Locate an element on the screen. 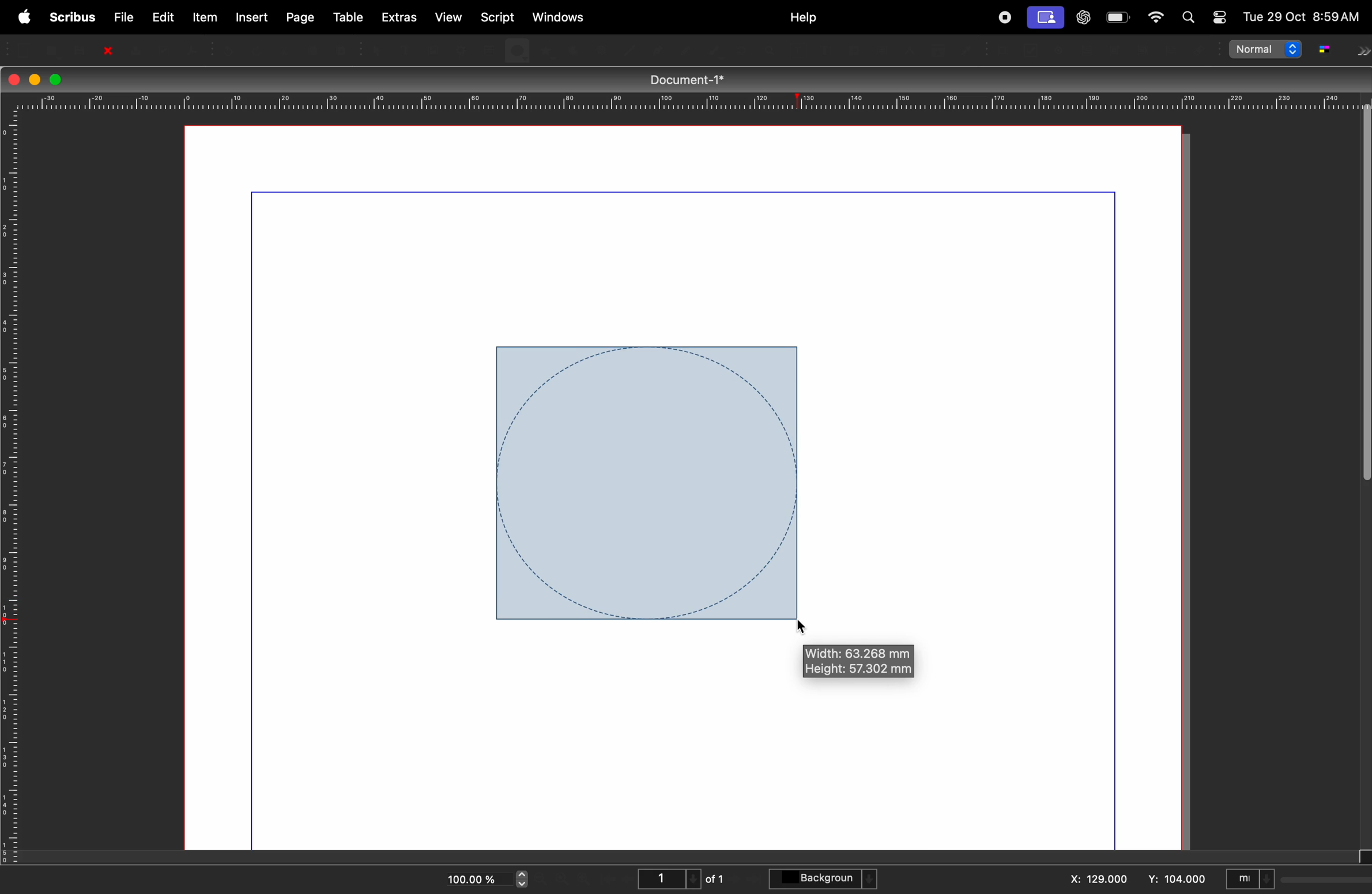 This screenshot has height=894, width=1372. toggle is located at coordinates (1218, 13).